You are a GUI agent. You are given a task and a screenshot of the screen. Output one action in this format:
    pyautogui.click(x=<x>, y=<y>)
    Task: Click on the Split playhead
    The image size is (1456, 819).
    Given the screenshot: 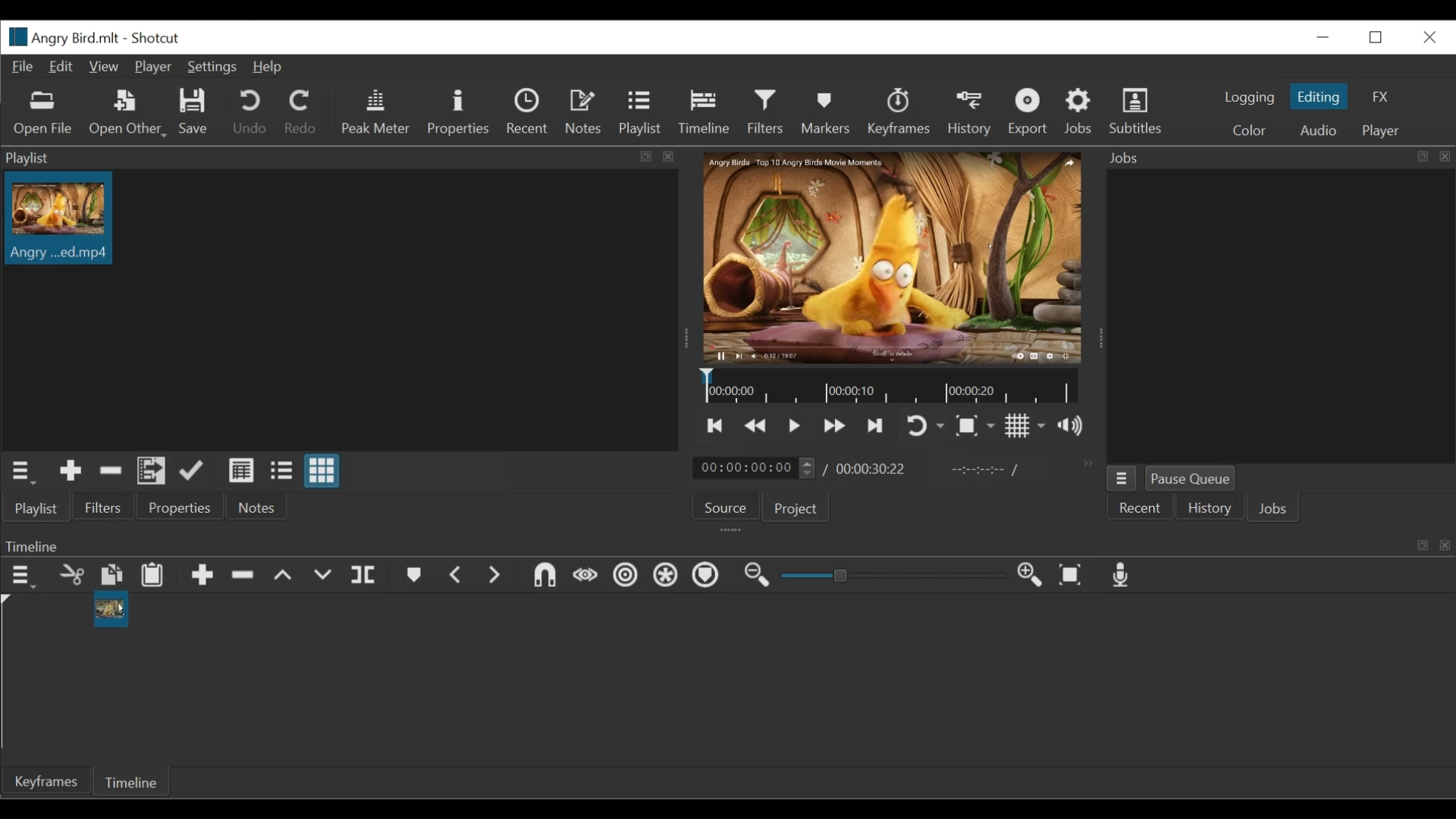 What is the action you would take?
    pyautogui.click(x=366, y=576)
    